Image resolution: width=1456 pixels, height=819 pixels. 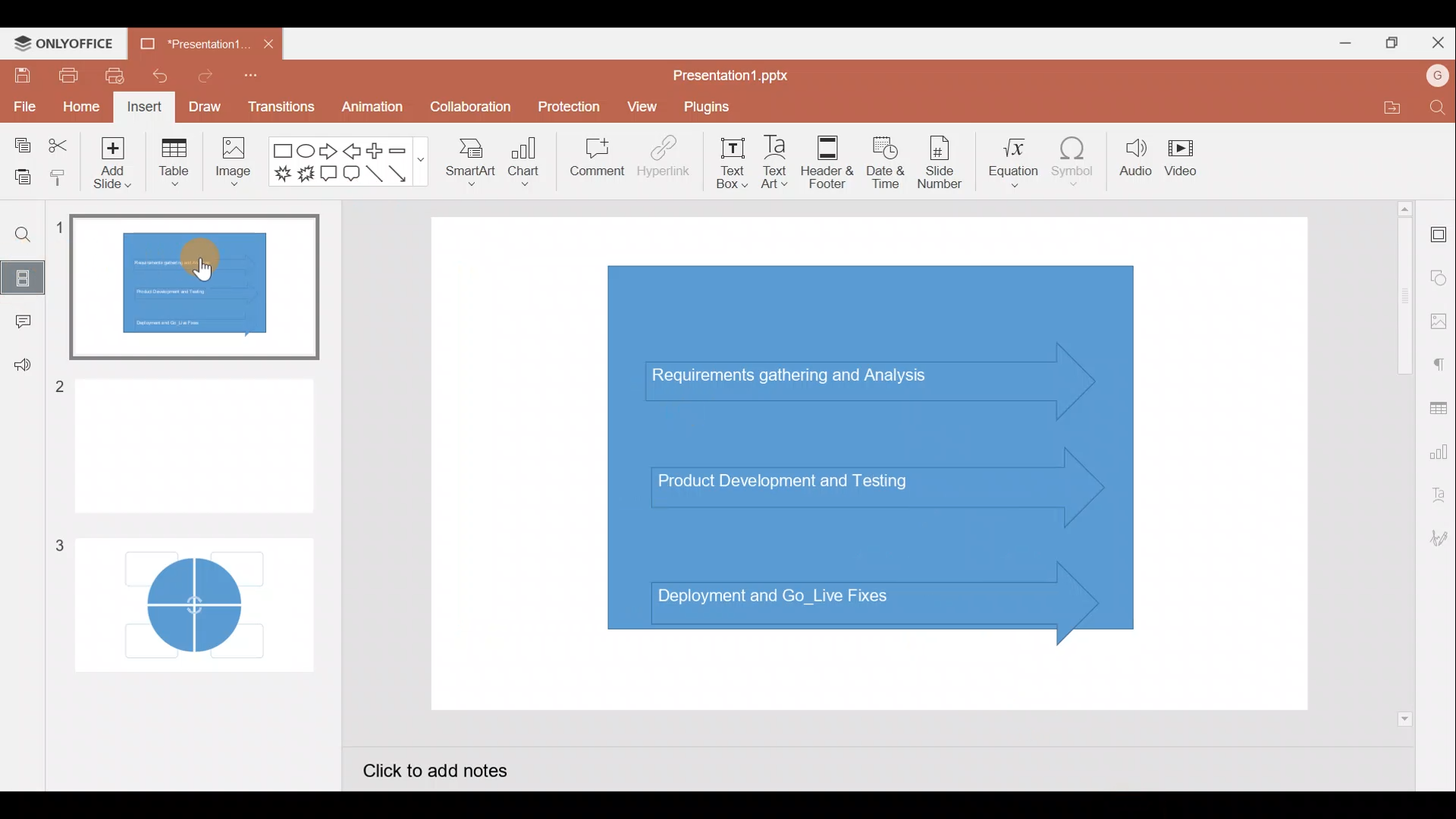 I want to click on Slide 3, so click(x=187, y=597).